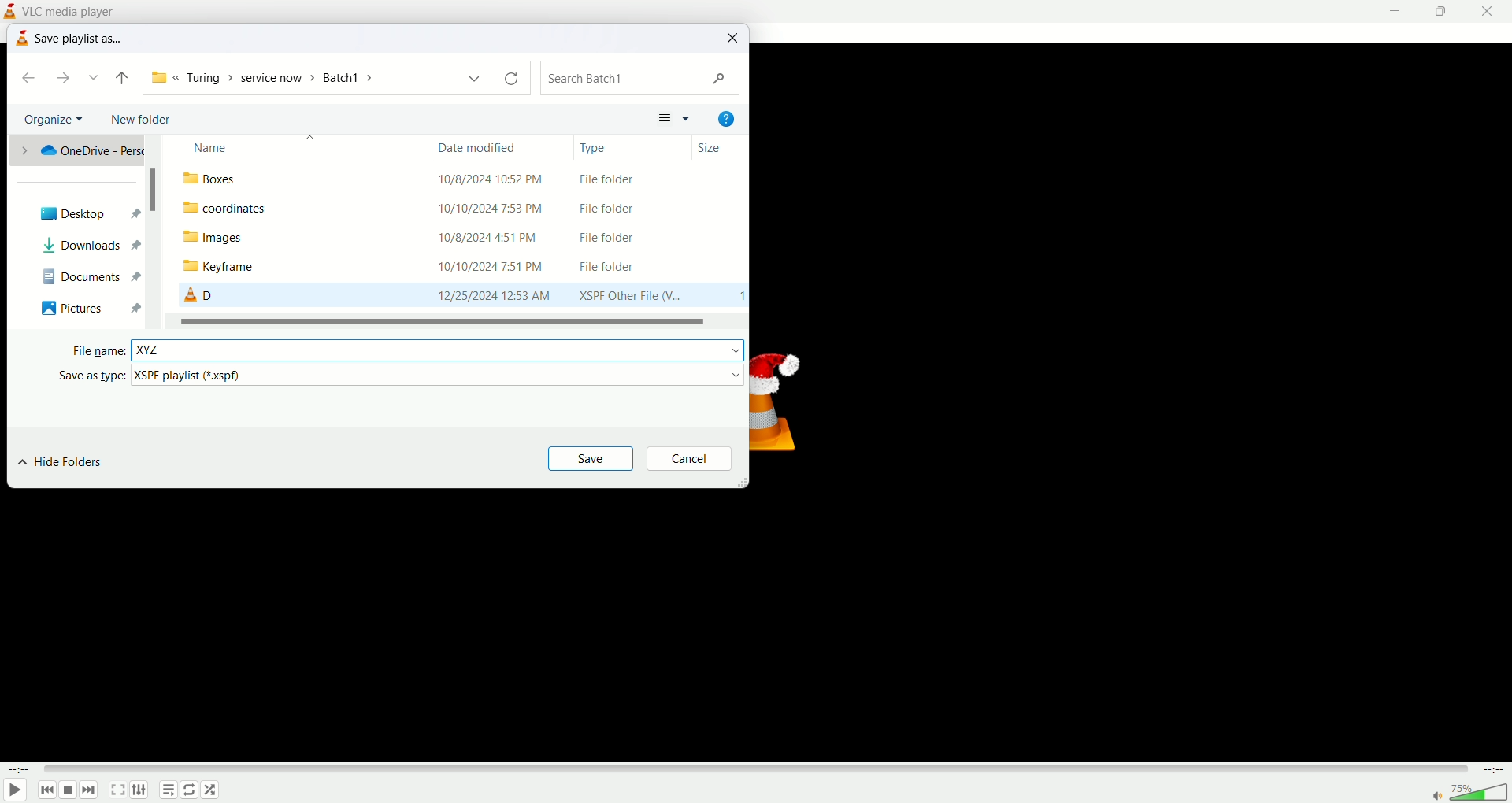  Describe the element at coordinates (72, 246) in the screenshot. I see `downloads` at that location.